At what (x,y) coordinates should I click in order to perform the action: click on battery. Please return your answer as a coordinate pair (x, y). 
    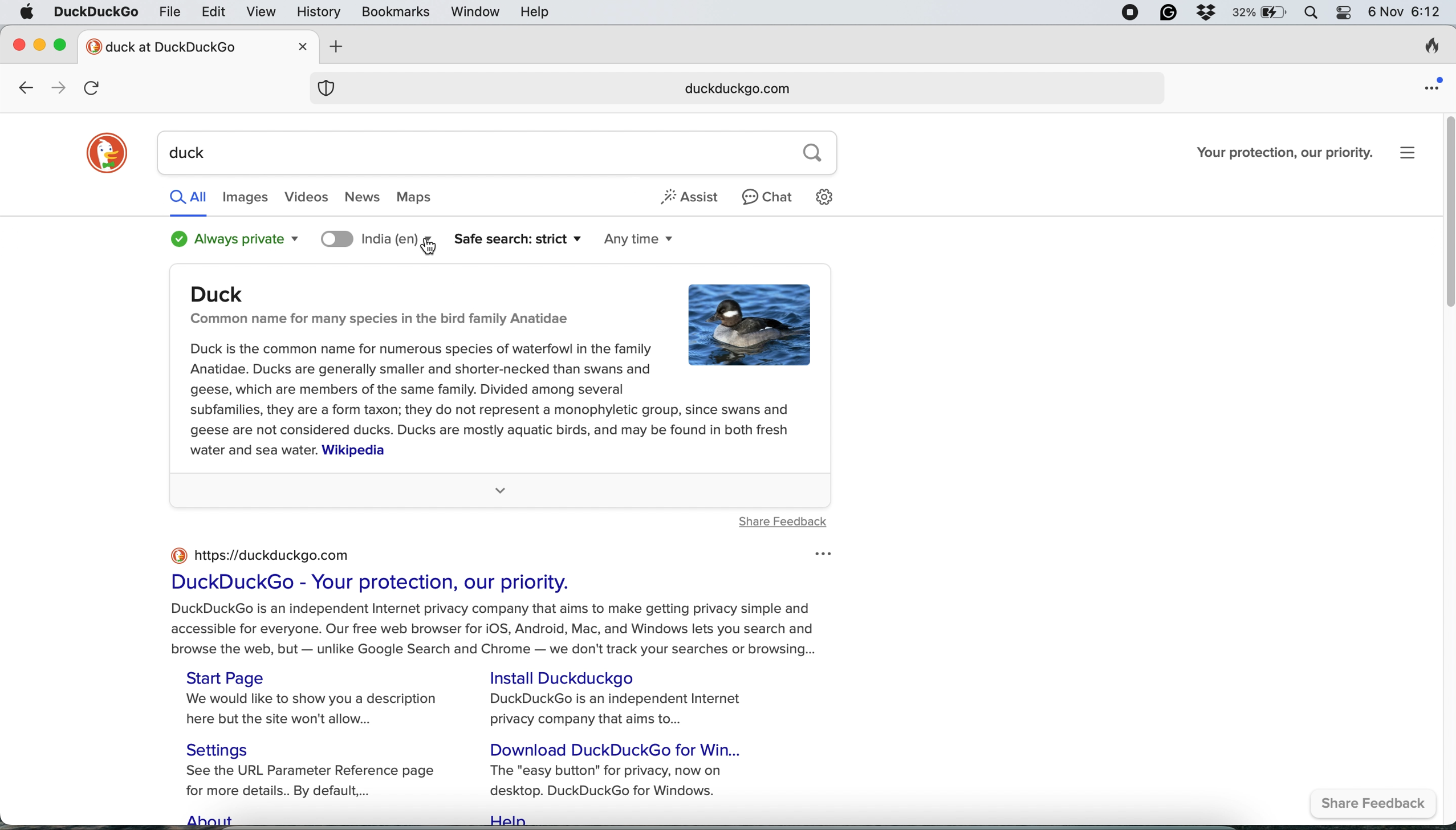
    Looking at the image, I should click on (1260, 13).